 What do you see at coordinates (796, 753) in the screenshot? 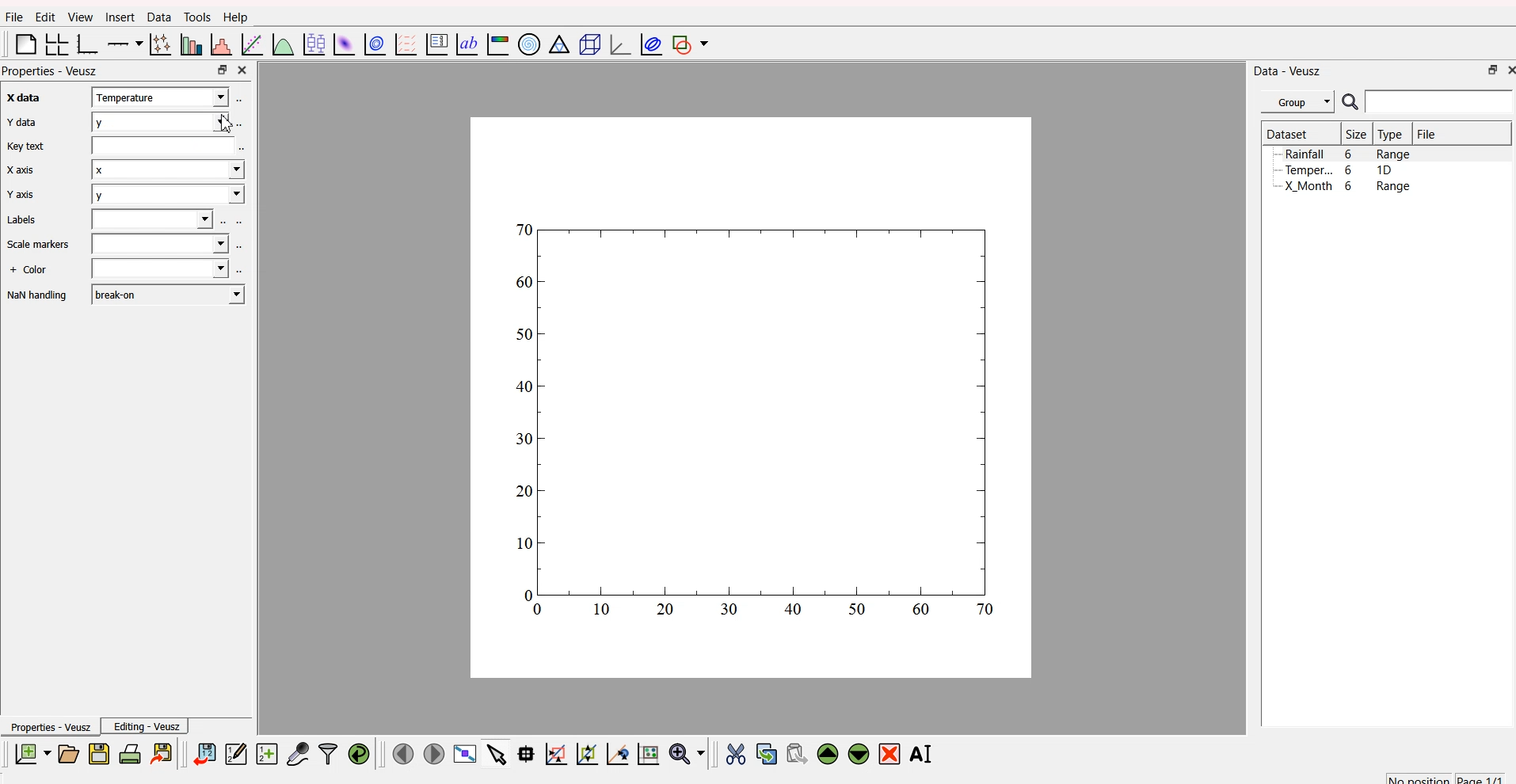
I see `paste the widget from the clipboard` at bounding box center [796, 753].